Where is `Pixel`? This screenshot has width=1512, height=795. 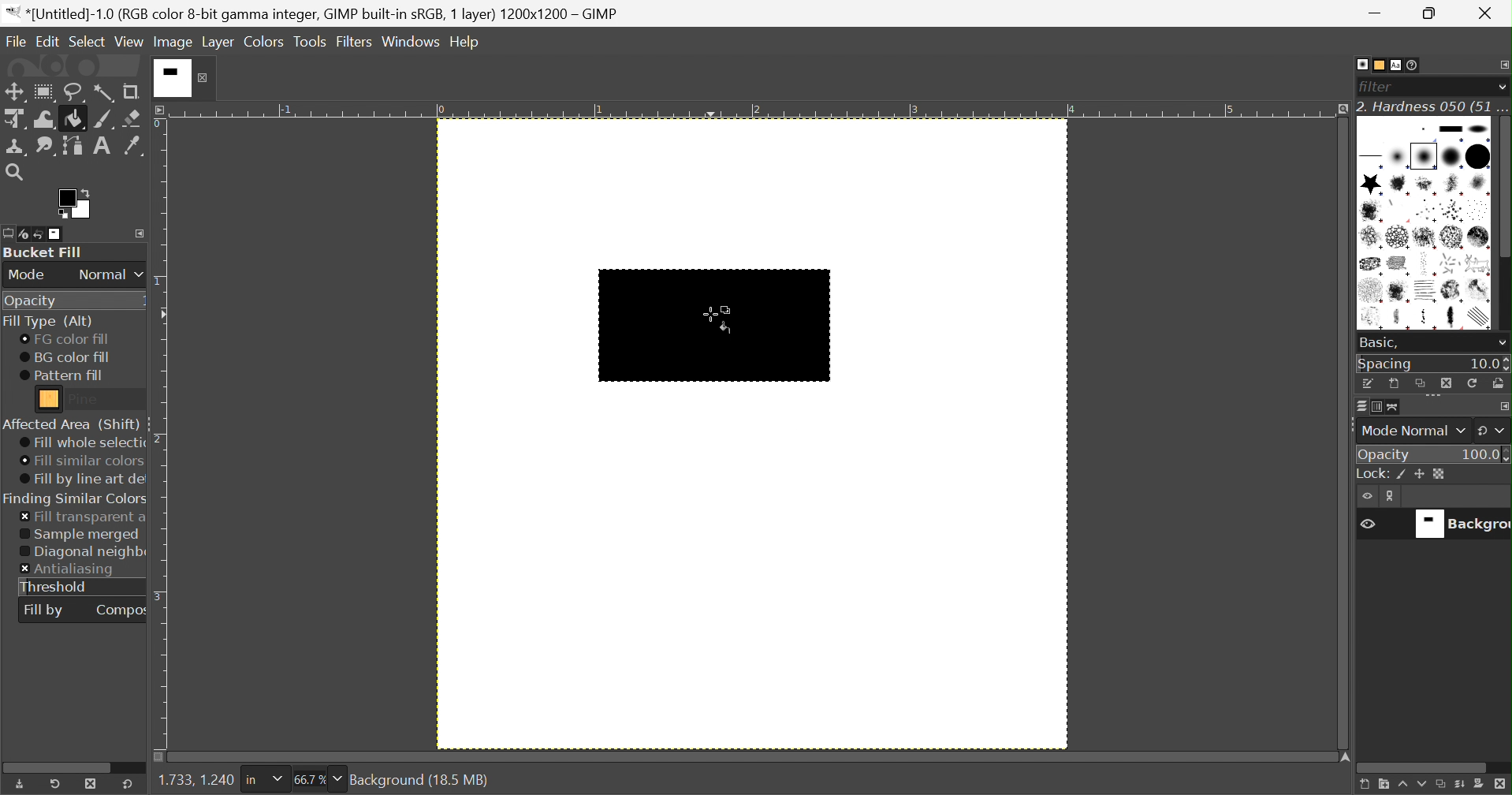 Pixel is located at coordinates (1424, 129).